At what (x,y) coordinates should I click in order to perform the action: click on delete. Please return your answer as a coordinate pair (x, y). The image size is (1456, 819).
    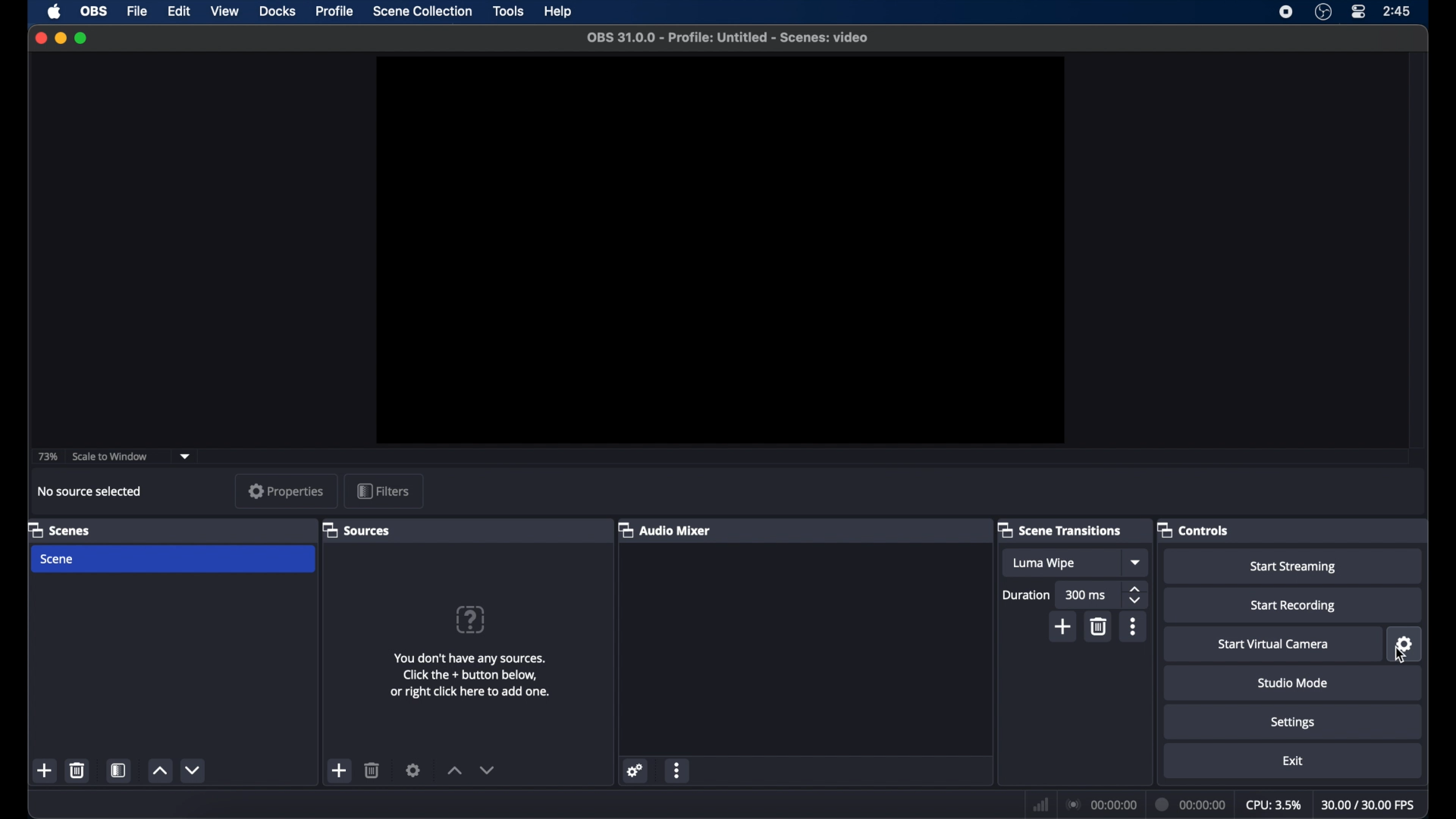
    Looking at the image, I should click on (1098, 627).